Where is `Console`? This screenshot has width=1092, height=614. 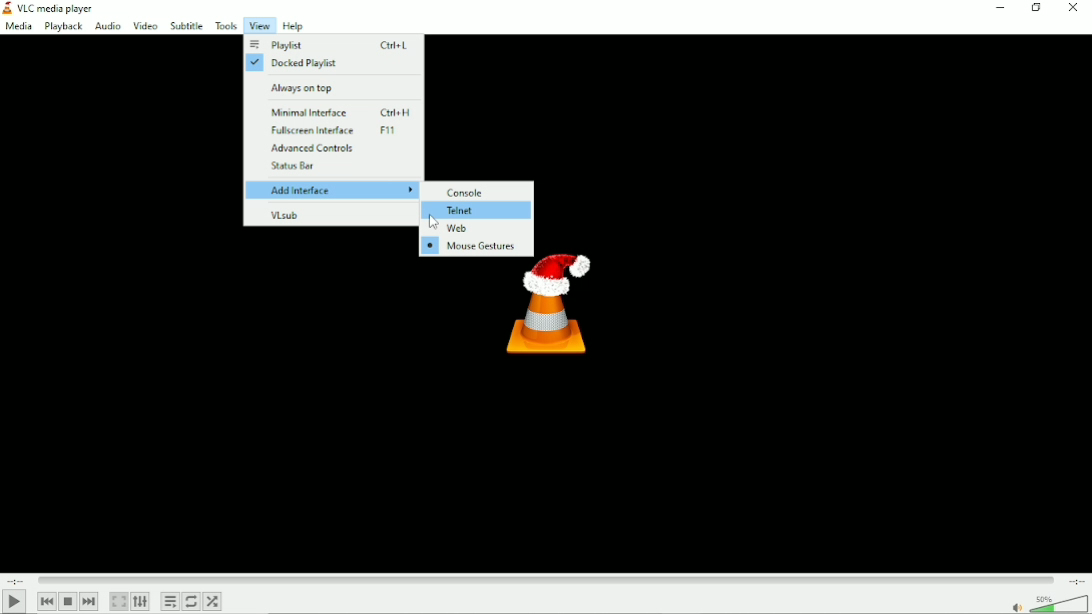 Console is located at coordinates (477, 191).